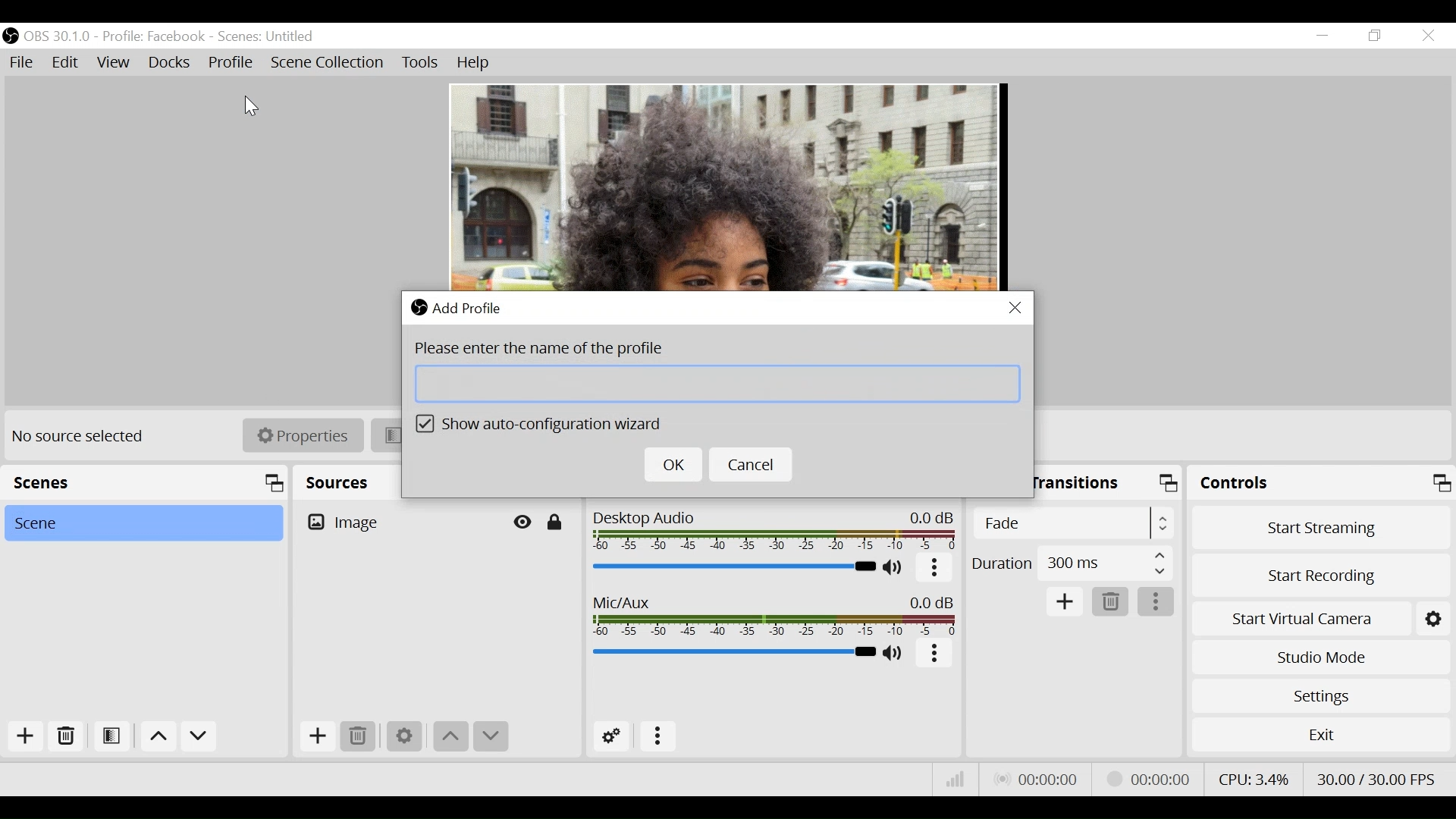  What do you see at coordinates (1111, 601) in the screenshot?
I see `Delete` at bounding box center [1111, 601].